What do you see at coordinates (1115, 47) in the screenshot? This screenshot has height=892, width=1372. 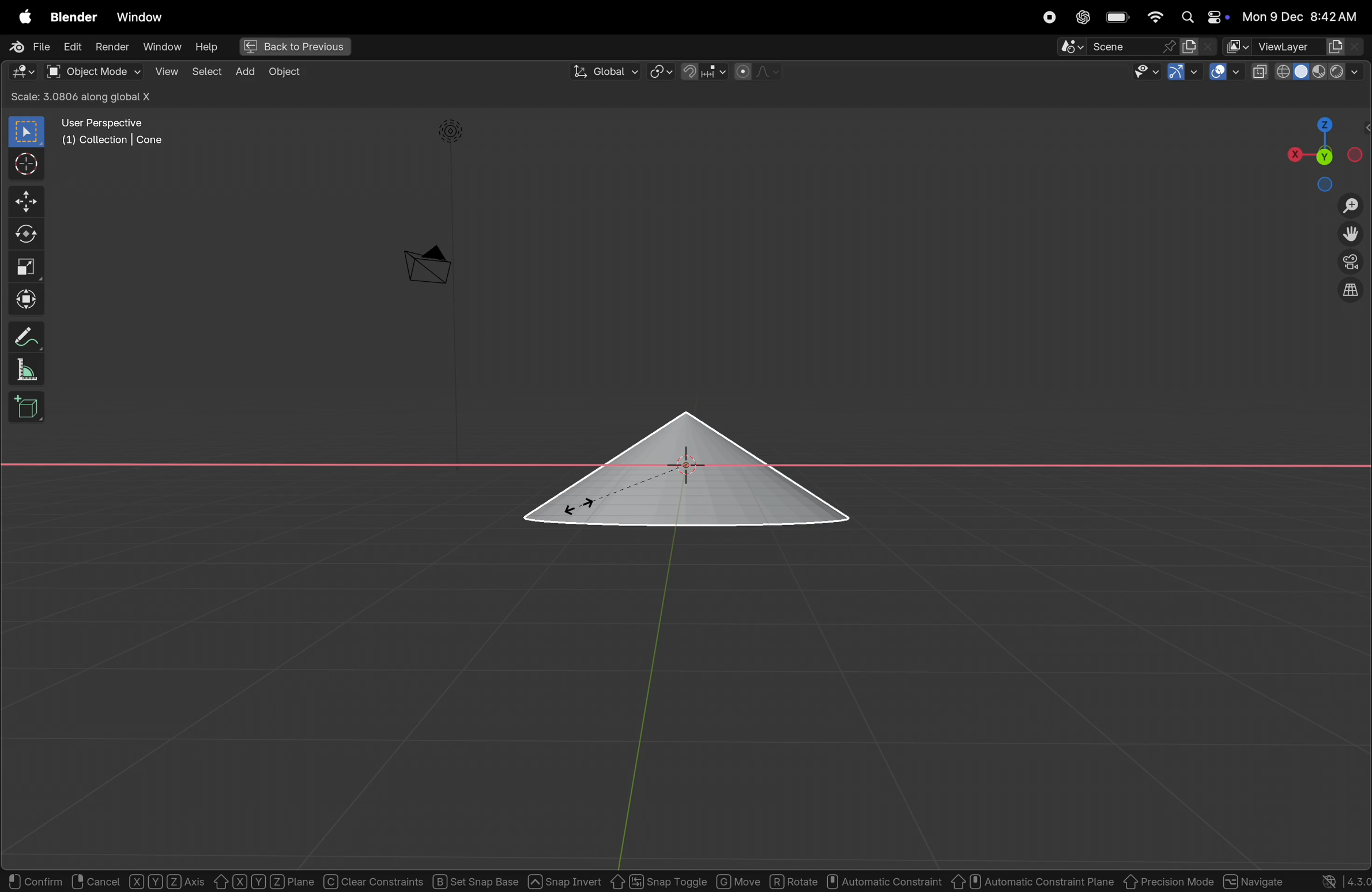 I see `Pin scene` at bounding box center [1115, 47].